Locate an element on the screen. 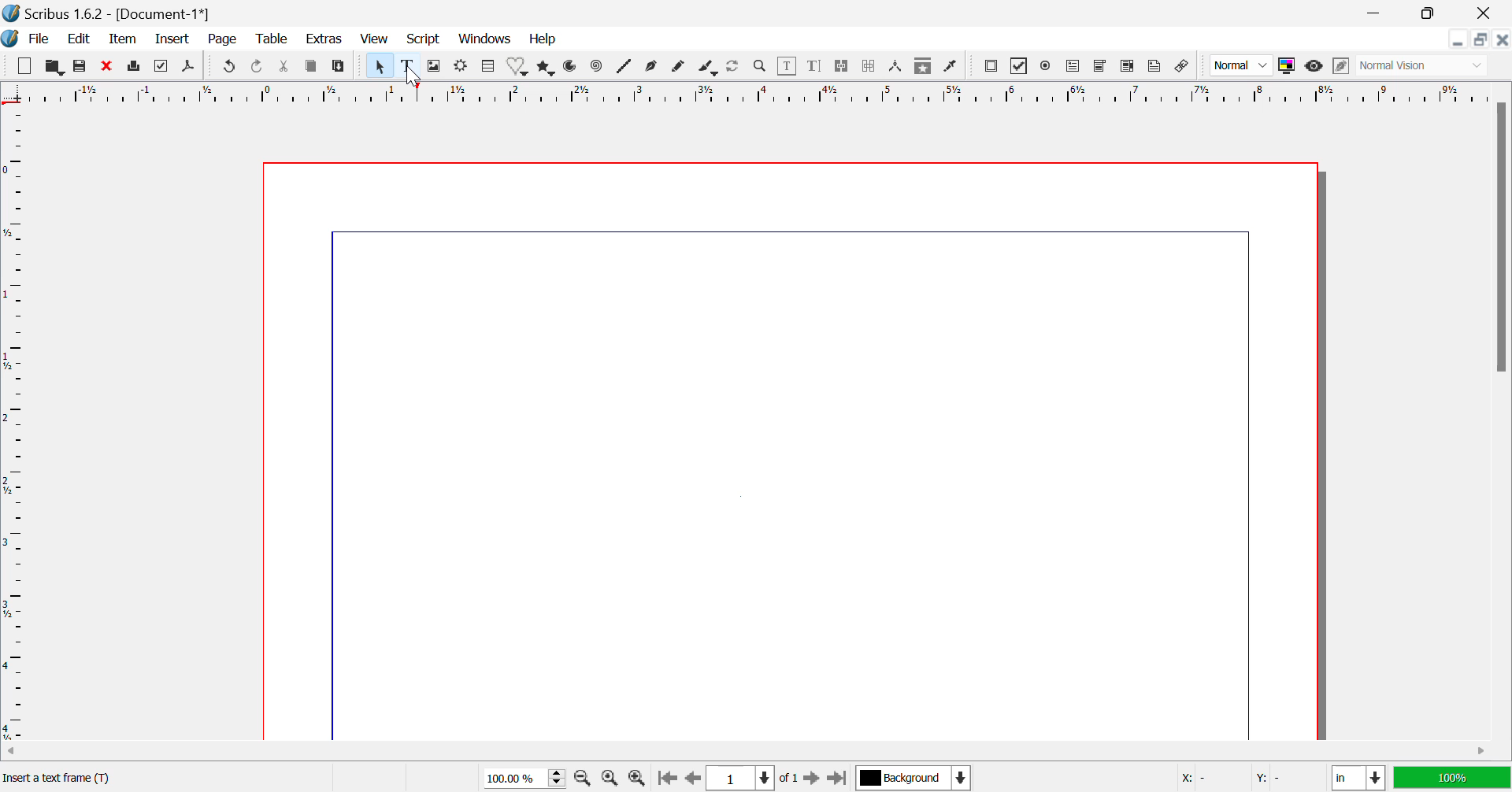  Link annotation is located at coordinates (1185, 67).